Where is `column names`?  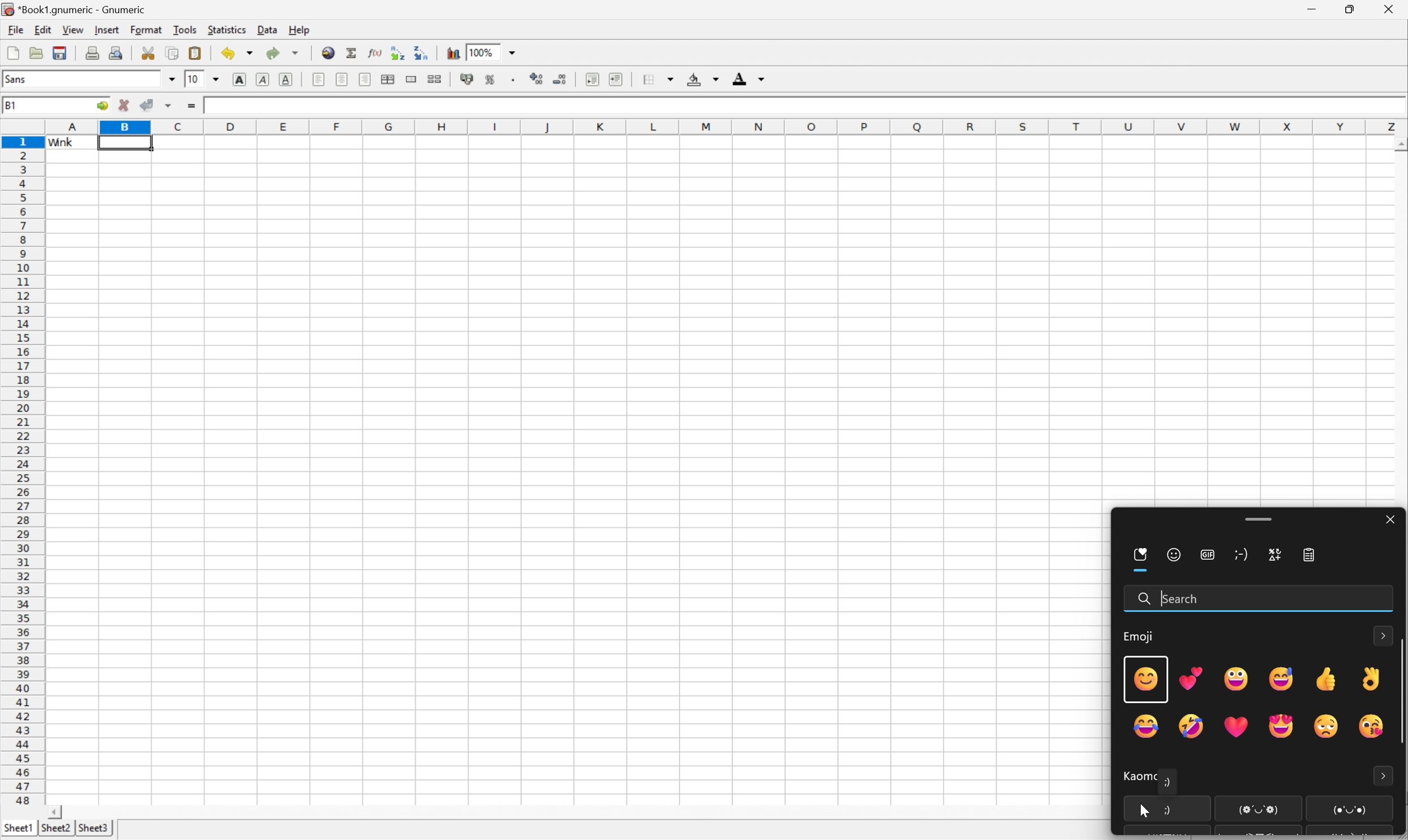
column names is located at coordinates (722, 126).